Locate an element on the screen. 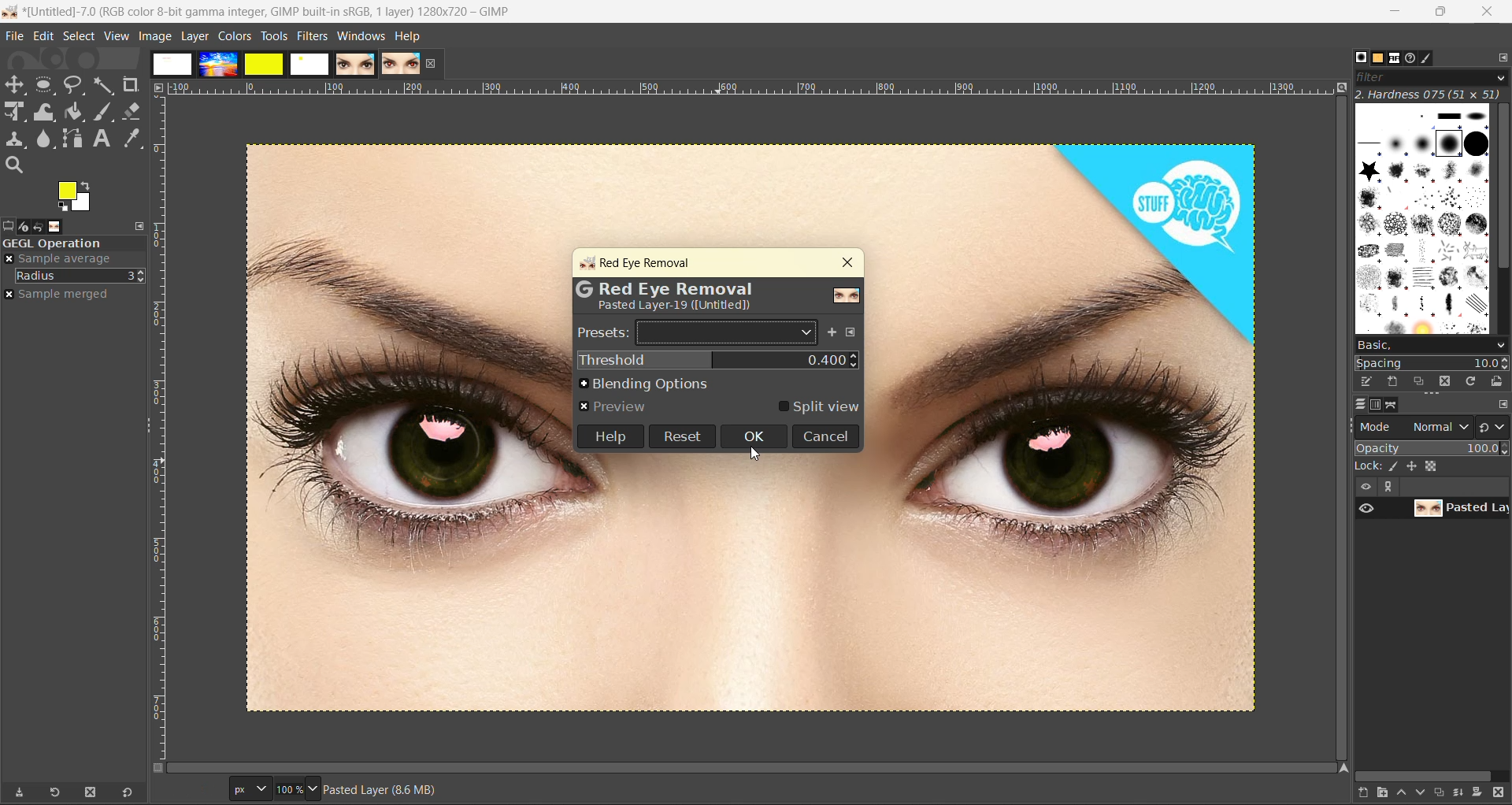  tools is located at coordinates (273, 37).